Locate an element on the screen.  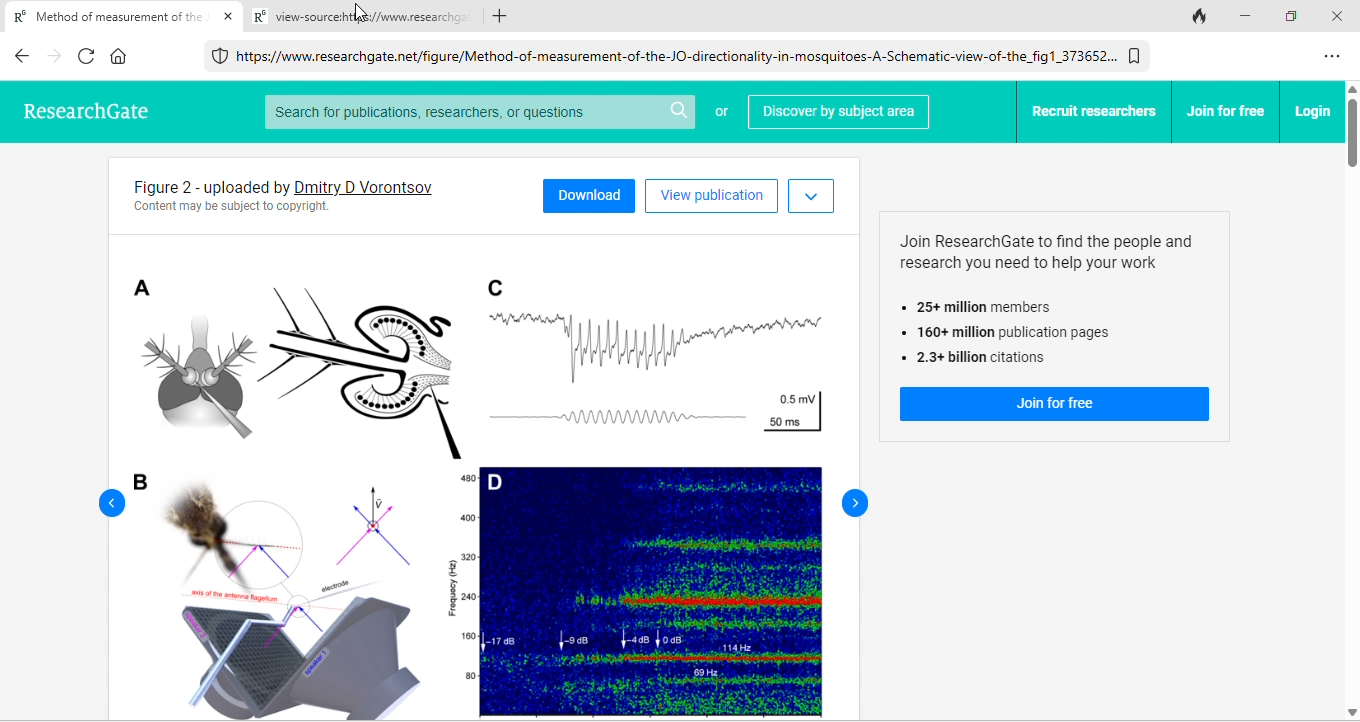
duckduckgo protection is located at coordinates (217, 56).